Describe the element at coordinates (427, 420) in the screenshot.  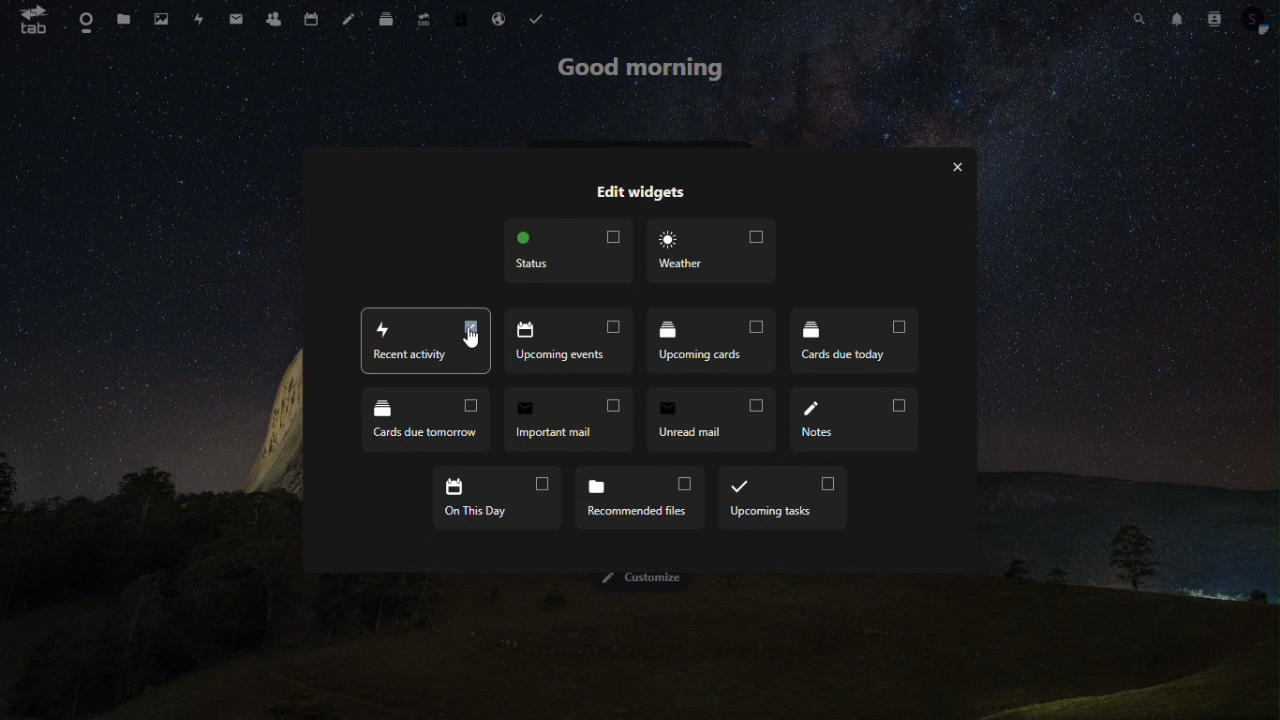
I see `cards due tomarrow` at that location.